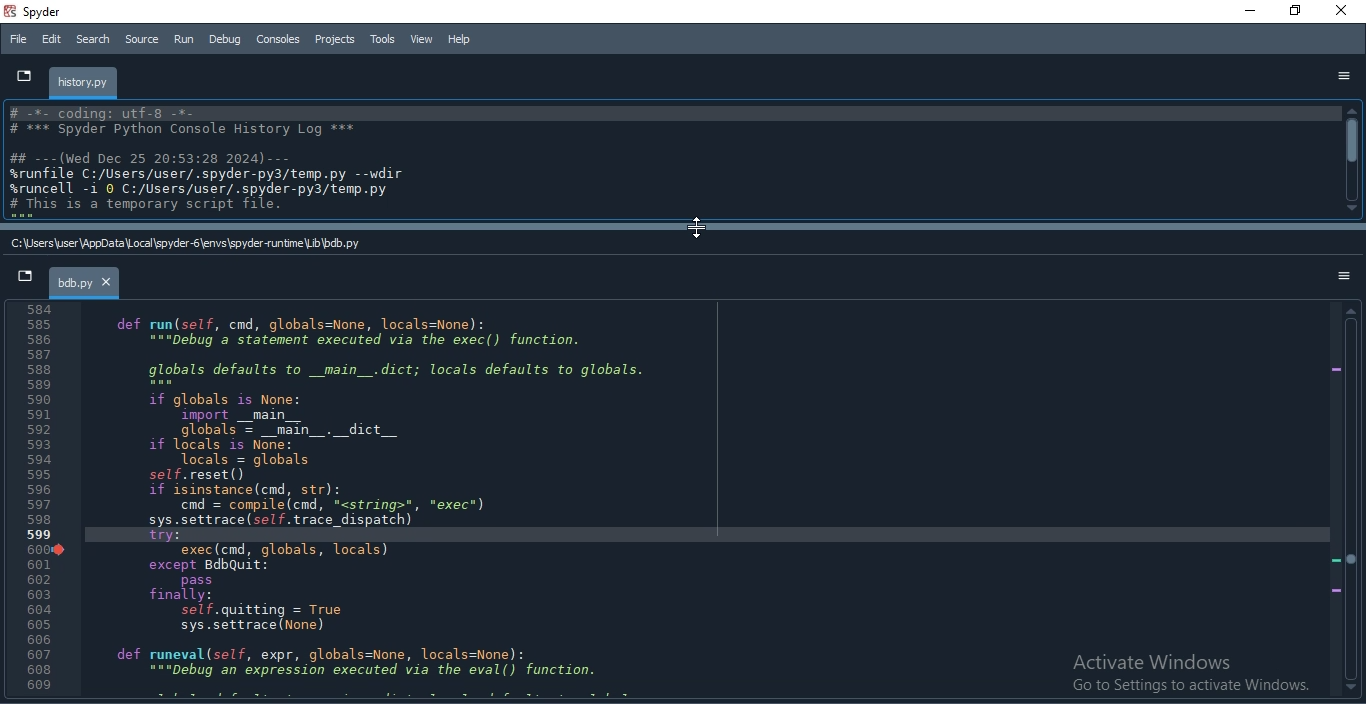 The image size is (1366, 704). I want to click on Projects, so click(337, 40).